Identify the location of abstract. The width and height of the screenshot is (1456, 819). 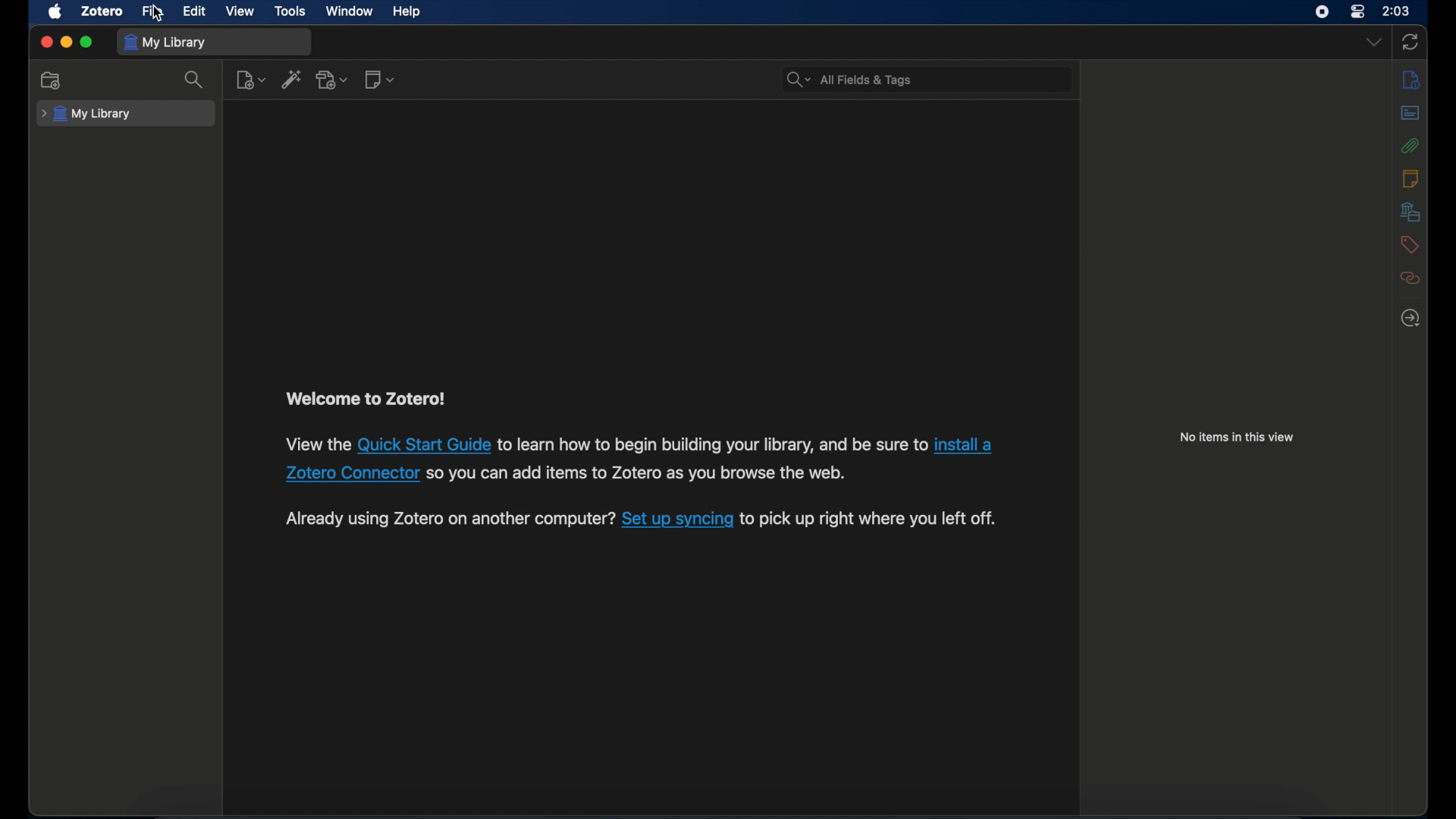
(1410, 113).